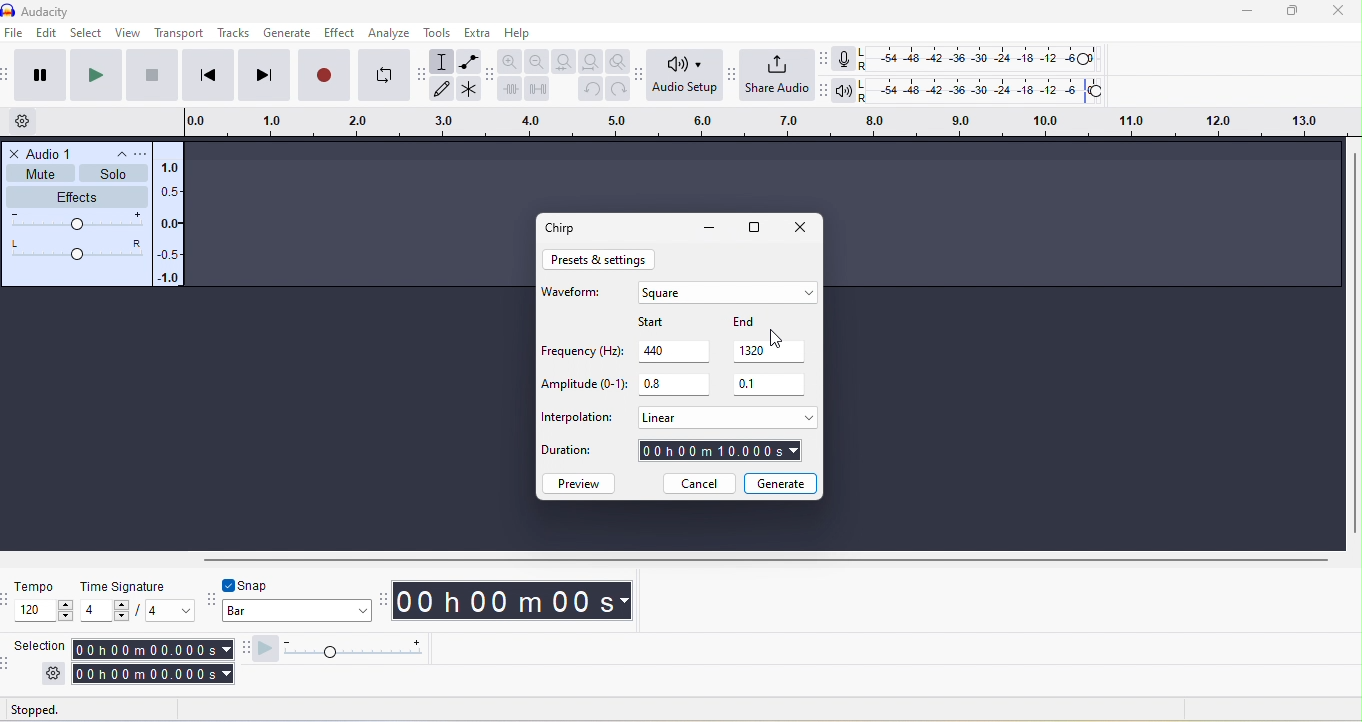 The width and height of the screenshot is (1362, 722). What do you see at coordinates (243, 649) in the screenshot?
I see `audacity play at speed toolbar` at bounding box center [243, 649].